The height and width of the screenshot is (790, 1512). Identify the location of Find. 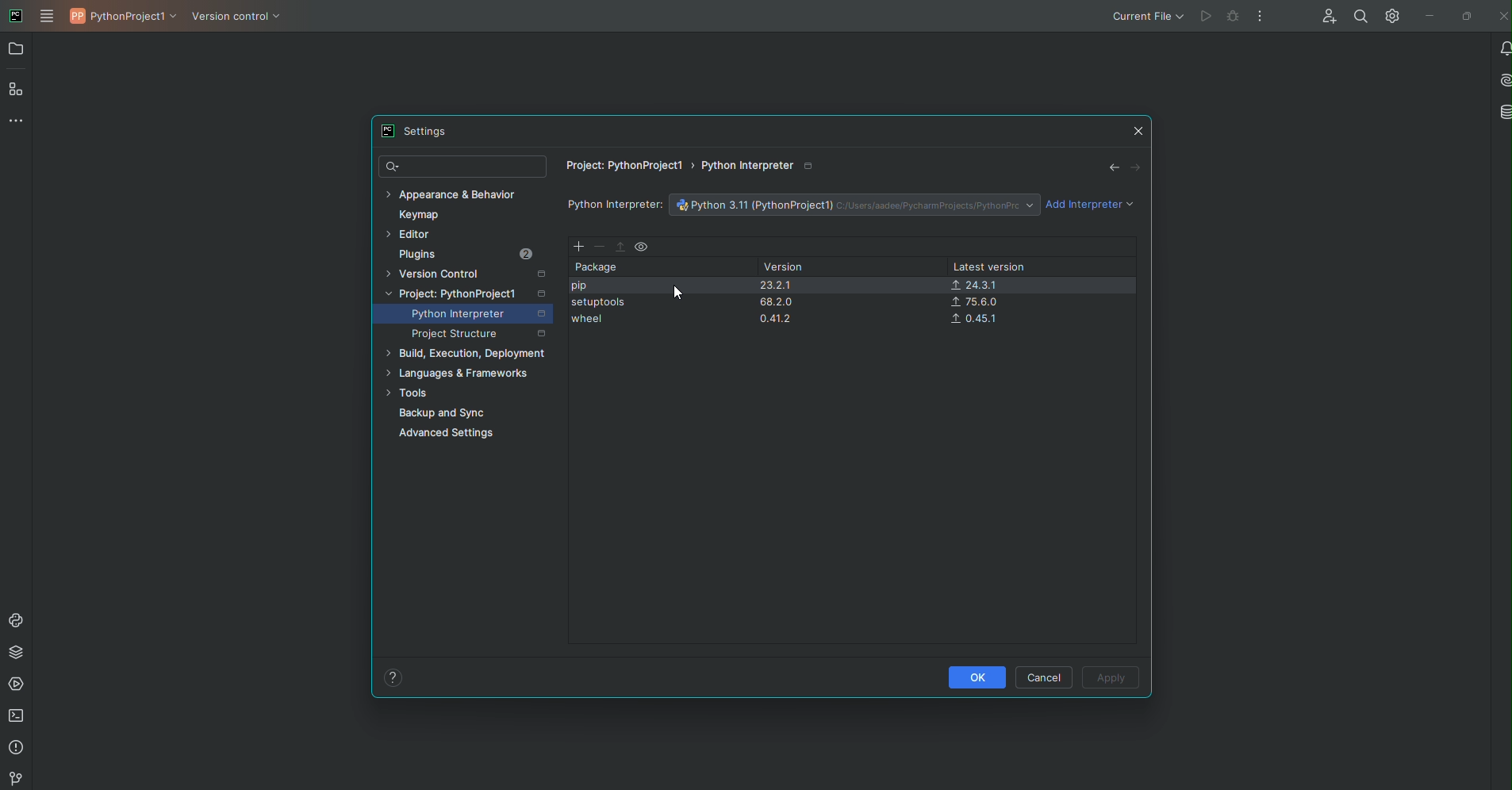
(1357, 15).